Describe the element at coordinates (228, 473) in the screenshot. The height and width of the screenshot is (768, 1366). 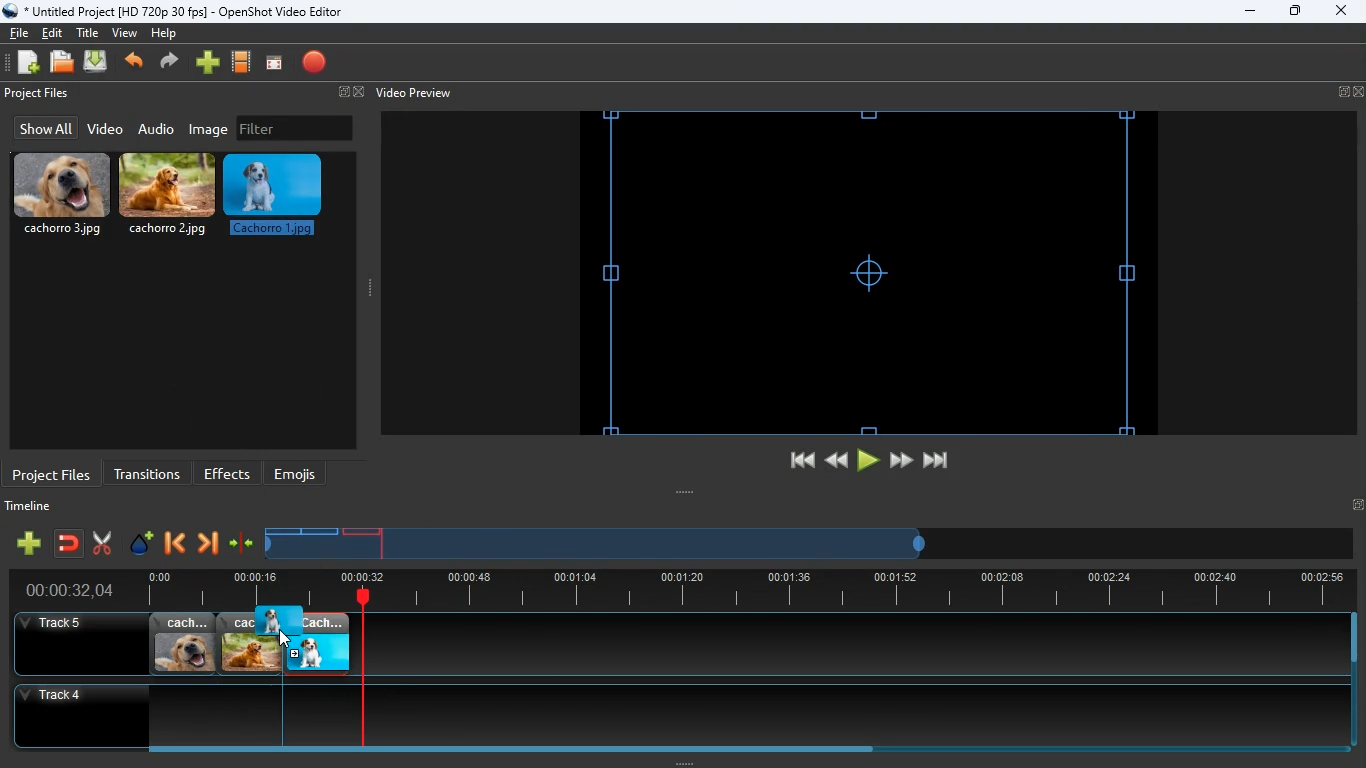
I see `effects` at that location.